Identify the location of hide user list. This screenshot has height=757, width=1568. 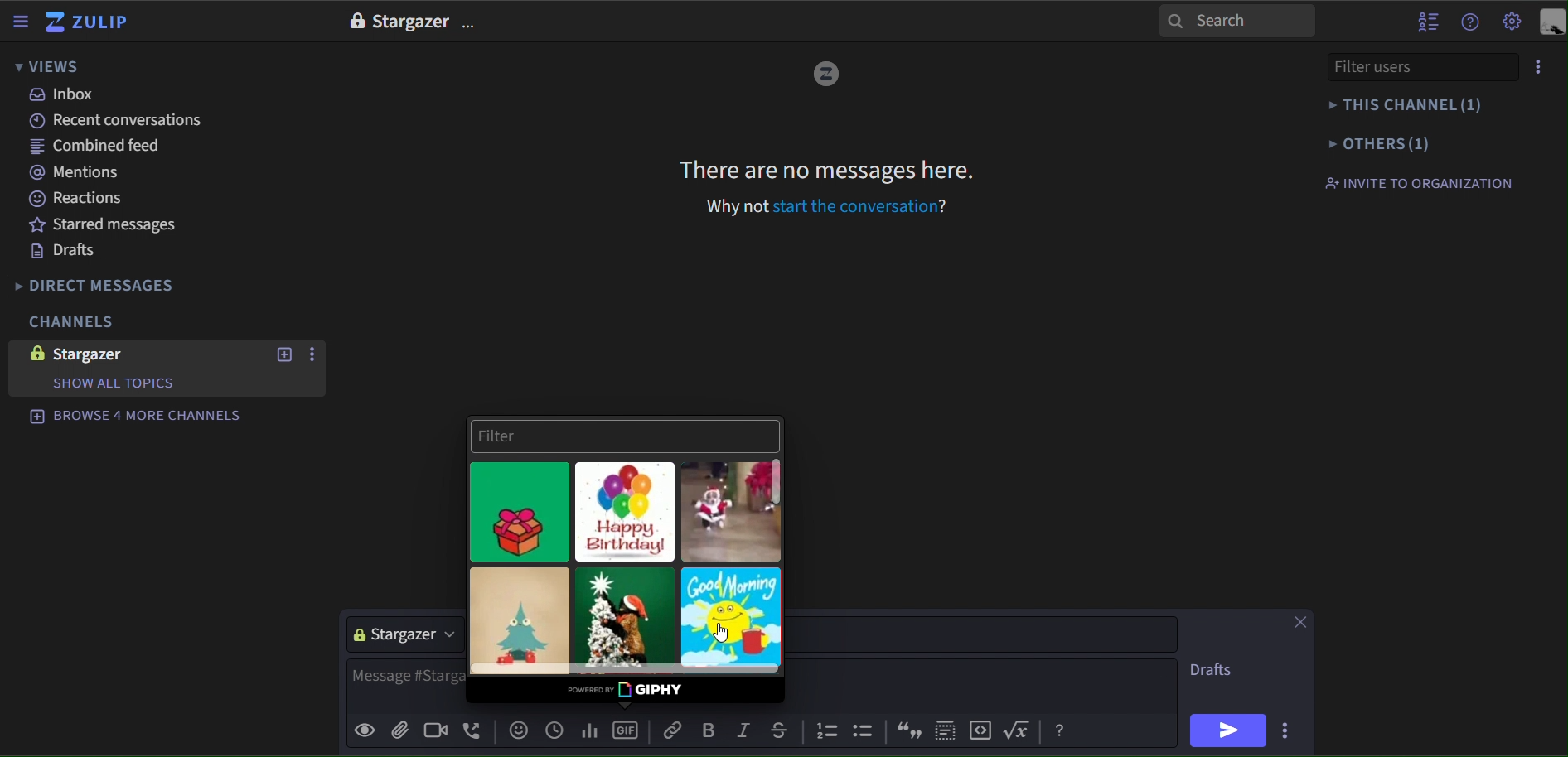
(1428, 20).